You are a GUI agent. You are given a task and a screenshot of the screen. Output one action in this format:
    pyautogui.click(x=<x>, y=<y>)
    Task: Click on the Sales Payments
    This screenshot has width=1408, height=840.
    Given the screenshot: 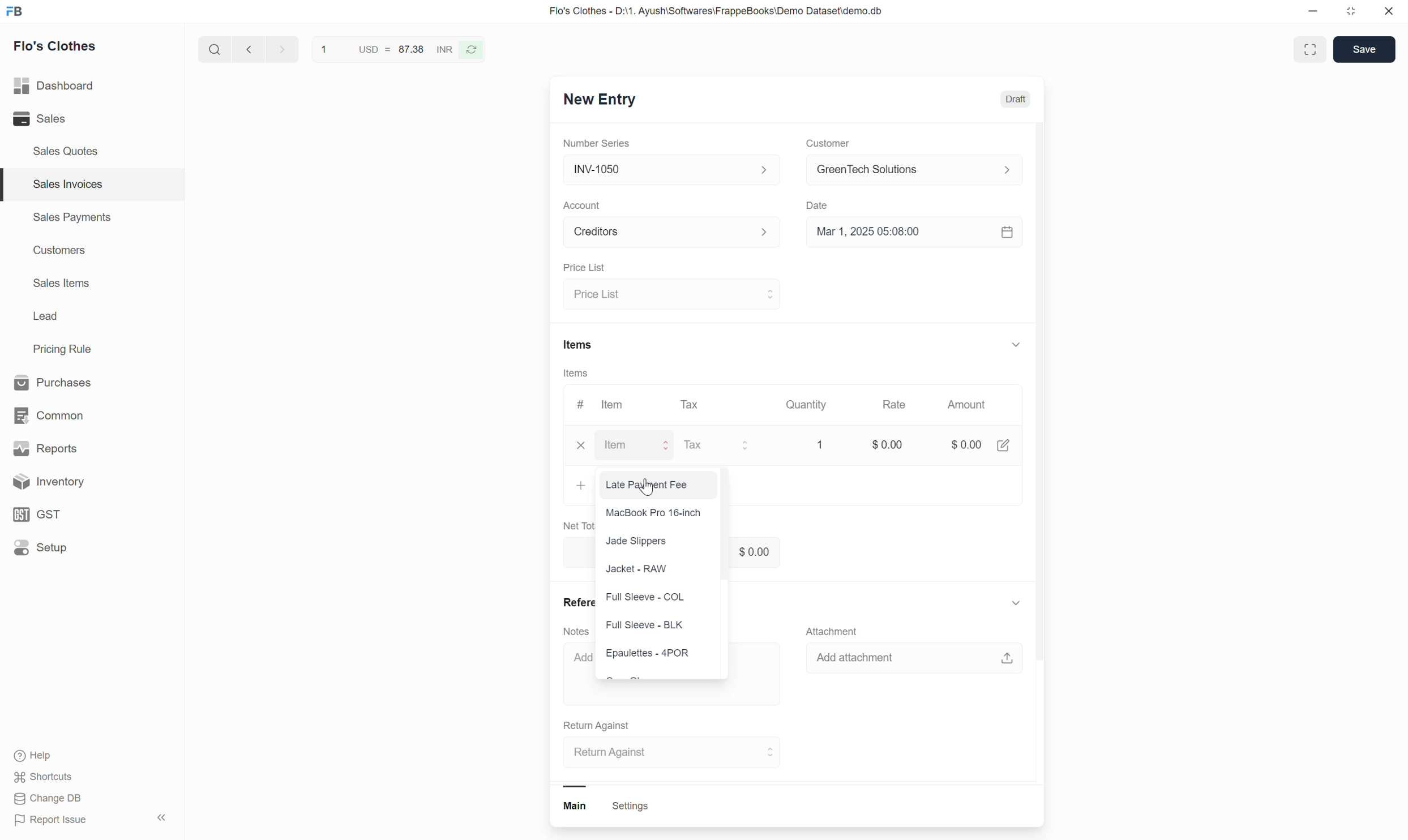 What is the action you would take?
    pyautogui.click(x=71, y=219)
    